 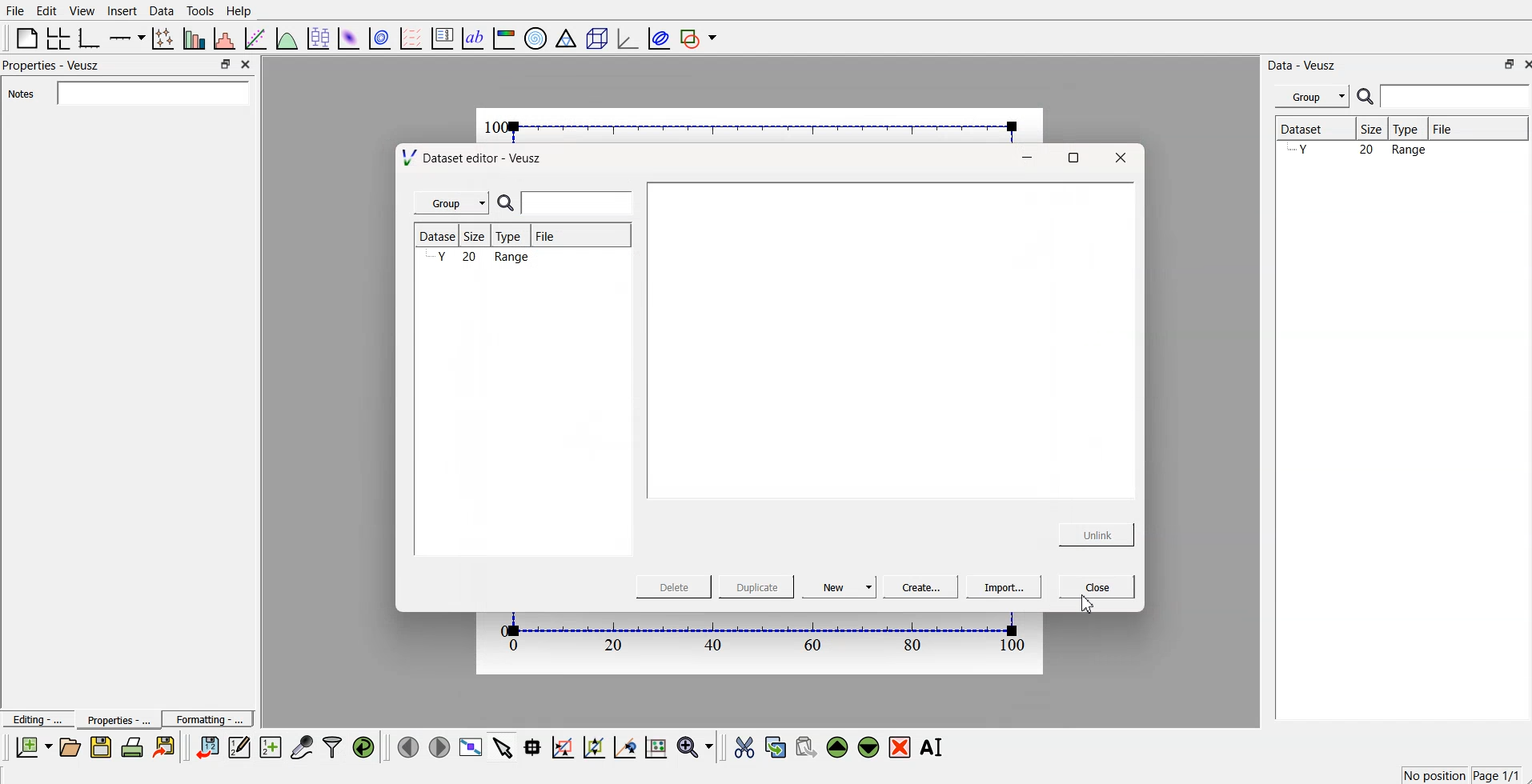 I want to click on plot a vector field, so click(x=413, y=38).